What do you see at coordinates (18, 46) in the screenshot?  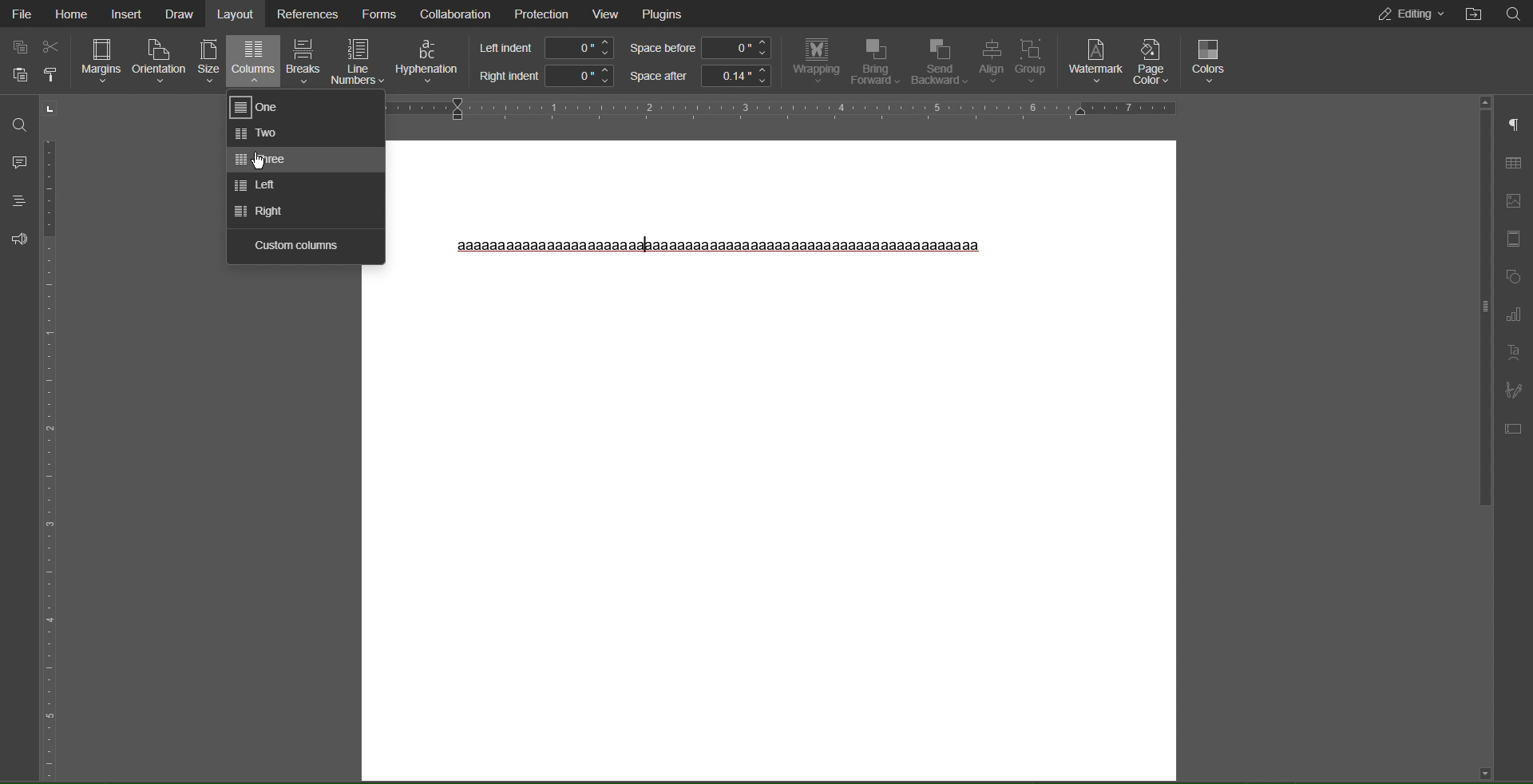 I see `copy` at bounding box center [18, 46].